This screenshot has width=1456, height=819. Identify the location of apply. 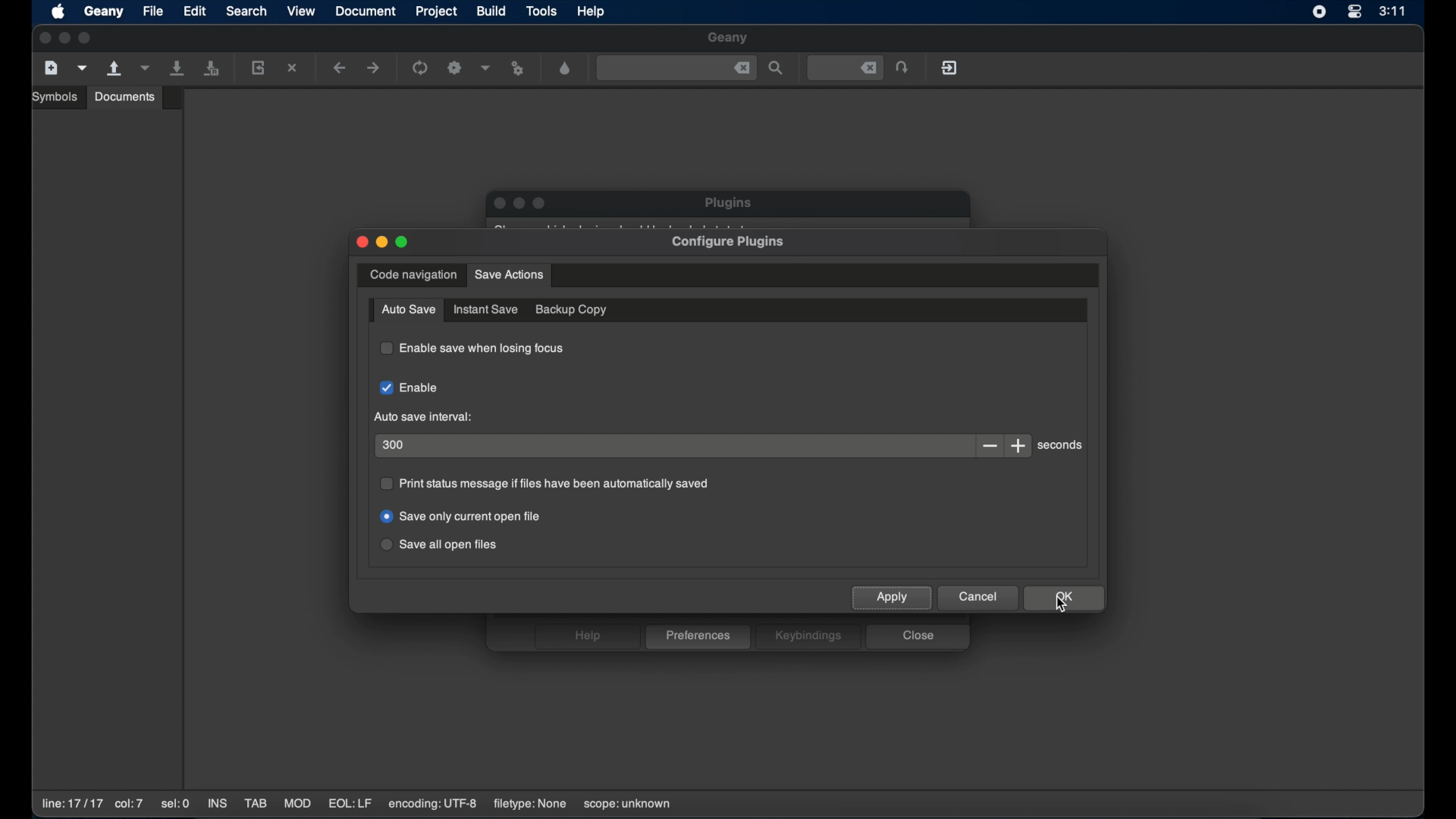
(893, 598).